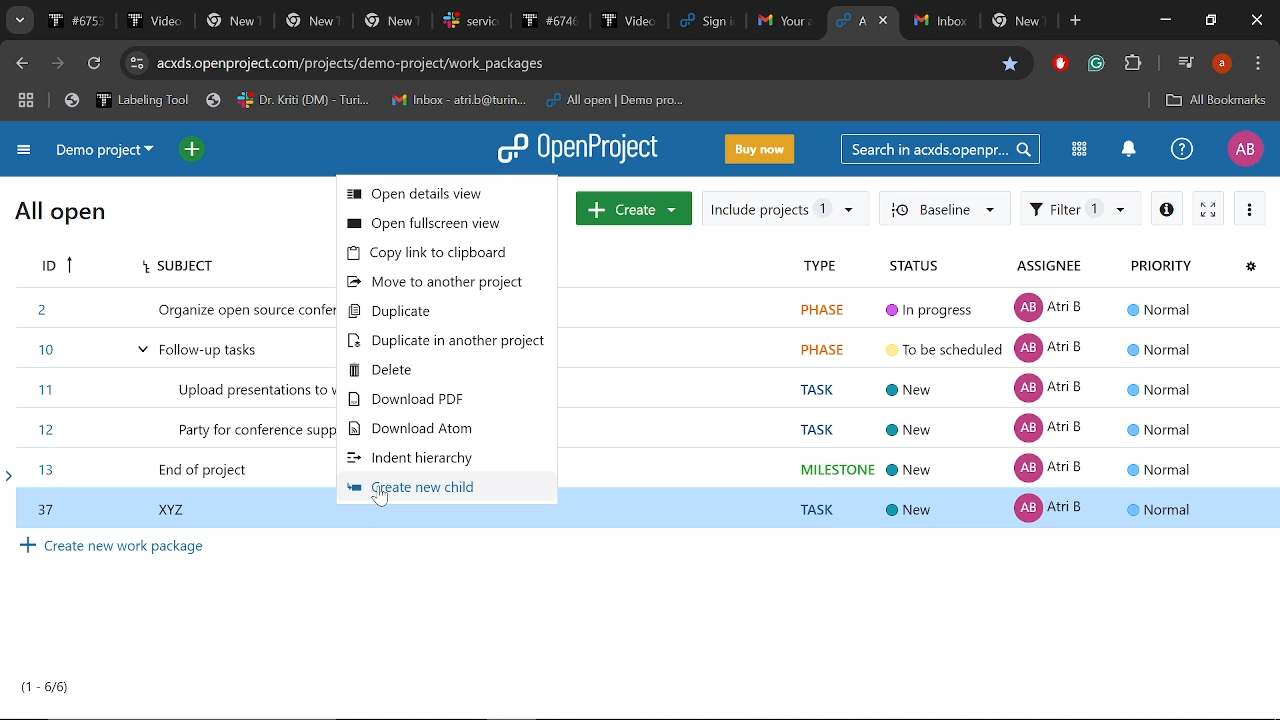 The height and width of the screenshot is (720, 1280). Describe the element at coordinates (438, 489) in the screenshot. I see `Create new child` at that location.